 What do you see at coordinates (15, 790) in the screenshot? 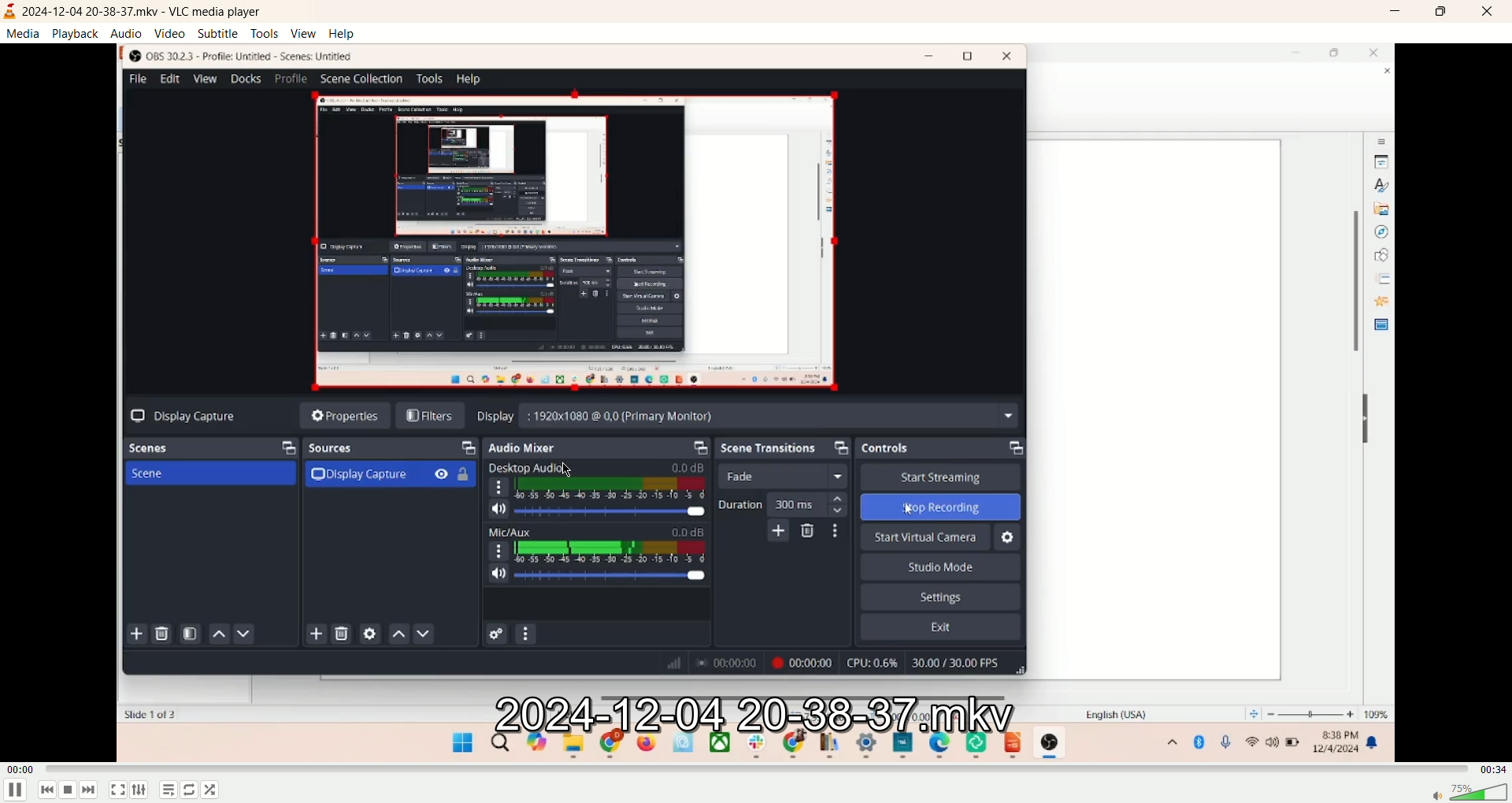
I see `play/pause` at bounding box center [15, 790].